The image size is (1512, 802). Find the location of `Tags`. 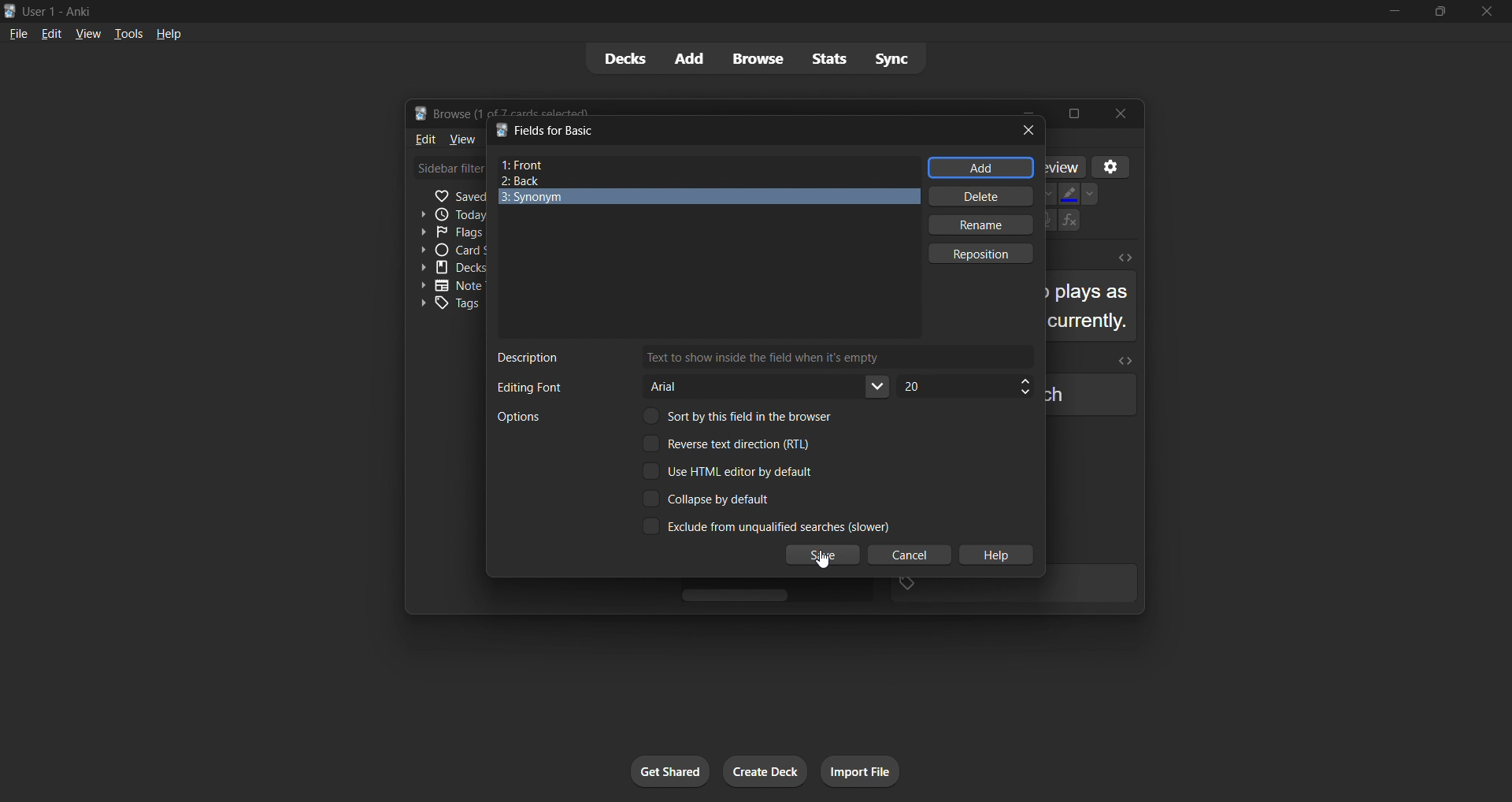

Tags is located at coordinates (449, 305).